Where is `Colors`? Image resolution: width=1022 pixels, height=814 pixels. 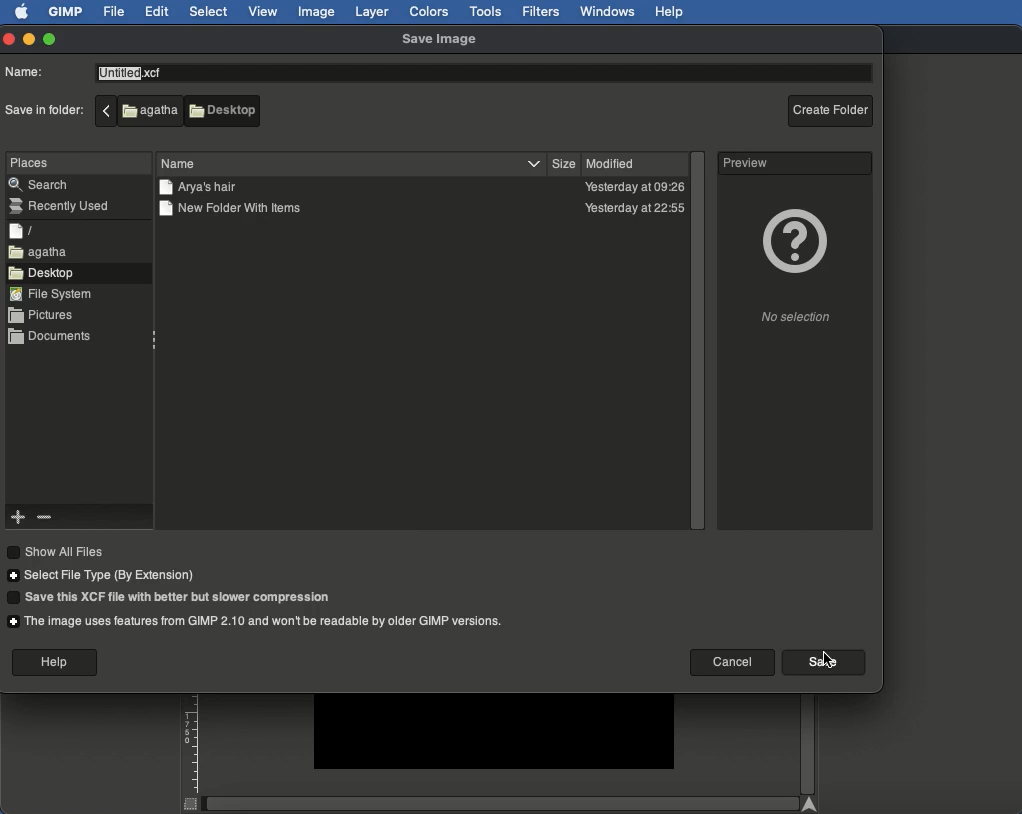 Colors is located at coordinates (428, 11).